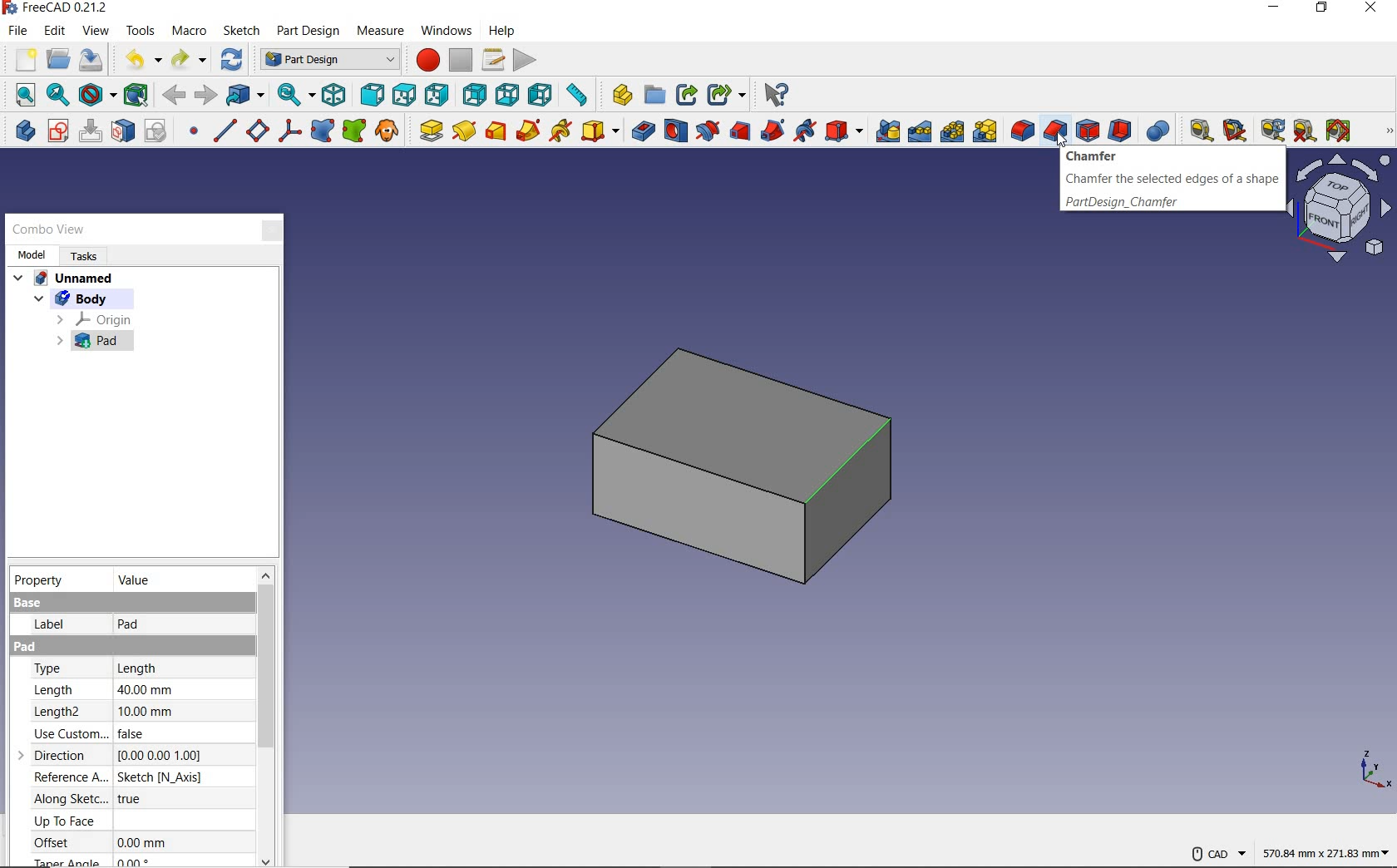 This screenshot has width=1397, height=868. I want to click on model, so click(33, 254).